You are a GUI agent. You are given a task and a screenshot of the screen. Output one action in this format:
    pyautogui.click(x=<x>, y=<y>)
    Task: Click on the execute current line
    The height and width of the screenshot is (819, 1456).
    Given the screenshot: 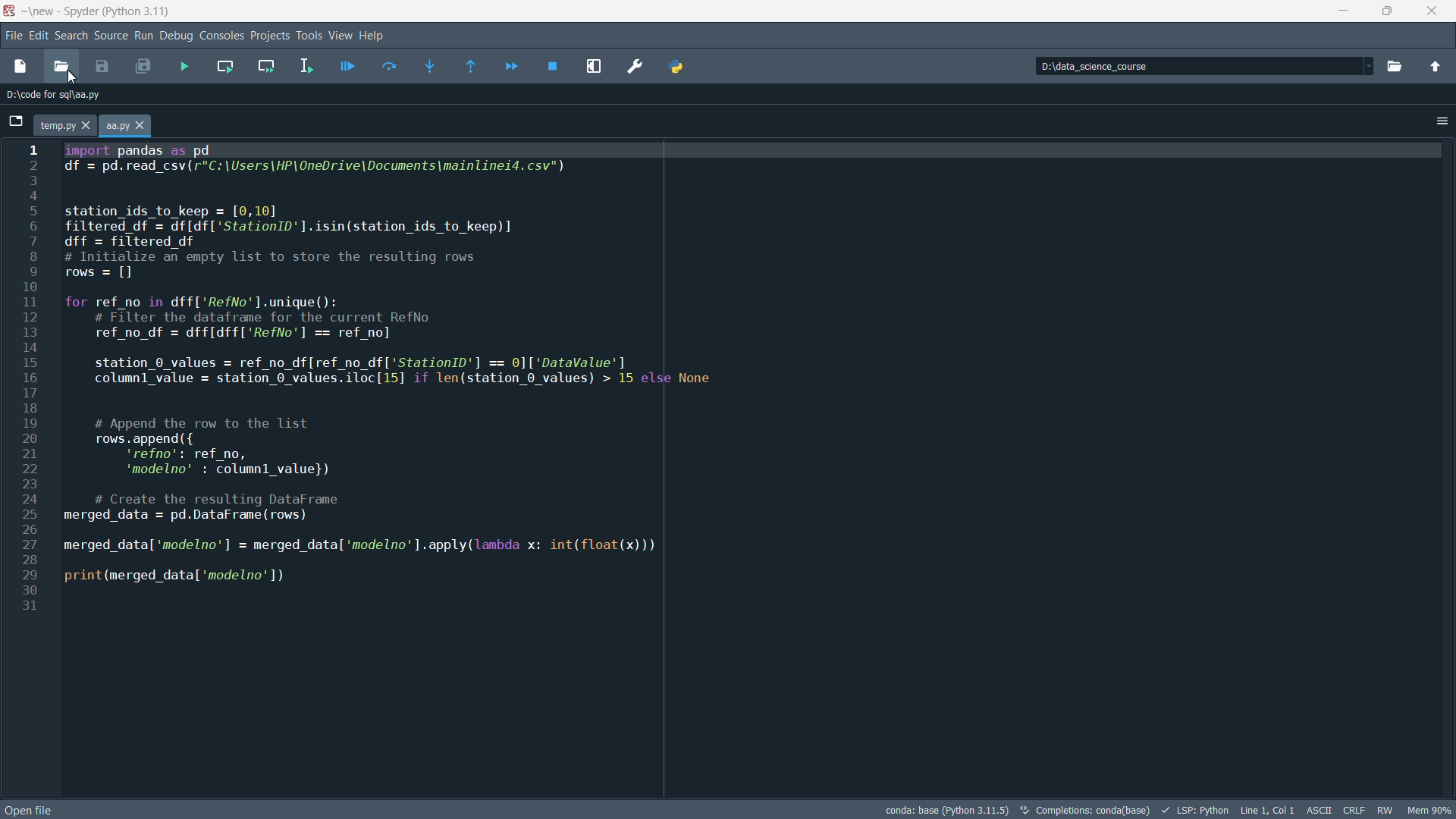 What is the action you would take?
    pyautogui.click(x=390, y=67)
    